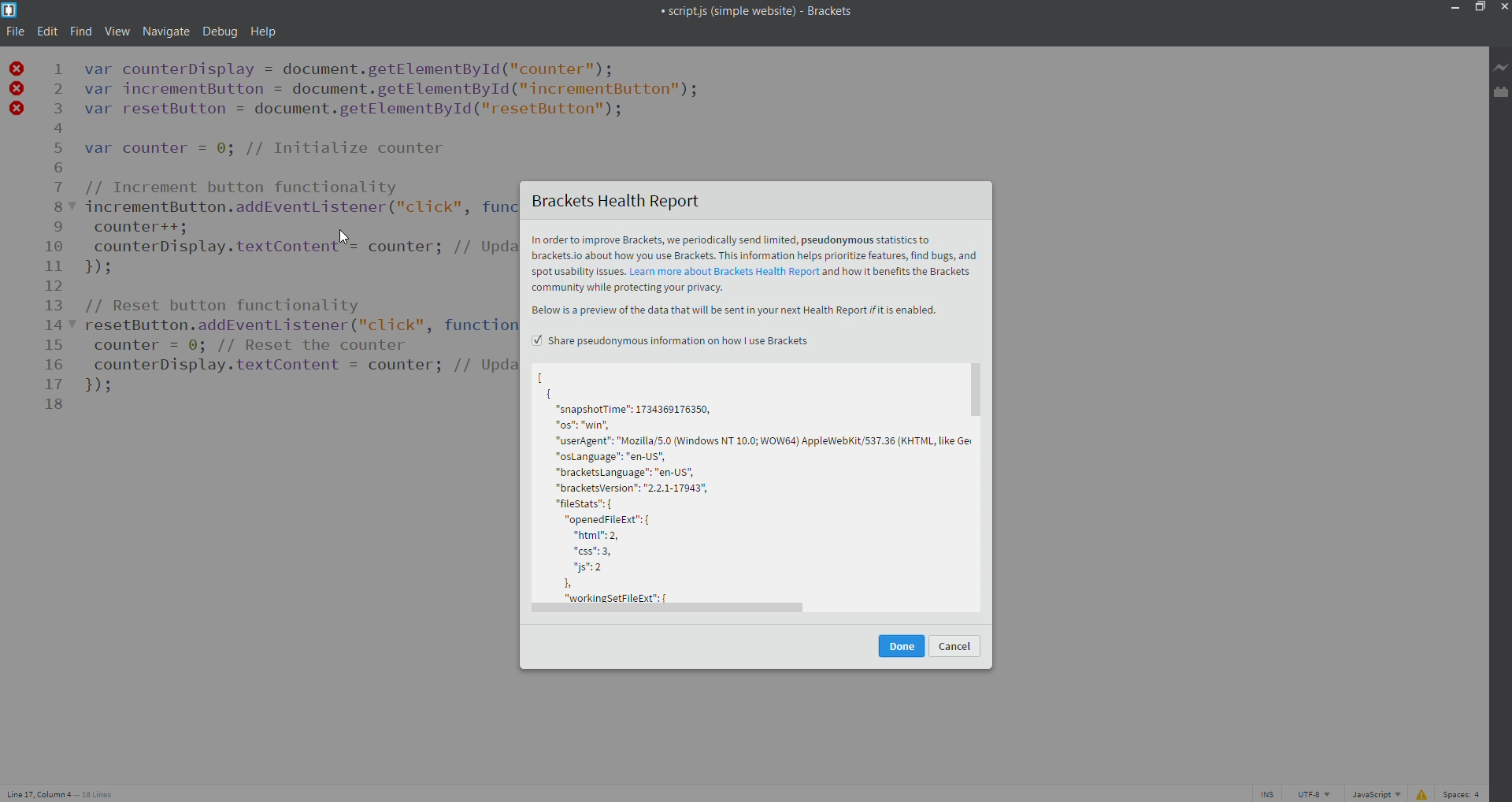 Image resolution: width=1512 pixels, height=802 pixels. What do you see at coordinates (729, 9) in the screenshot?
I see `Script.JS (Simple website) - Brackets` at bounding box center [729, 9].